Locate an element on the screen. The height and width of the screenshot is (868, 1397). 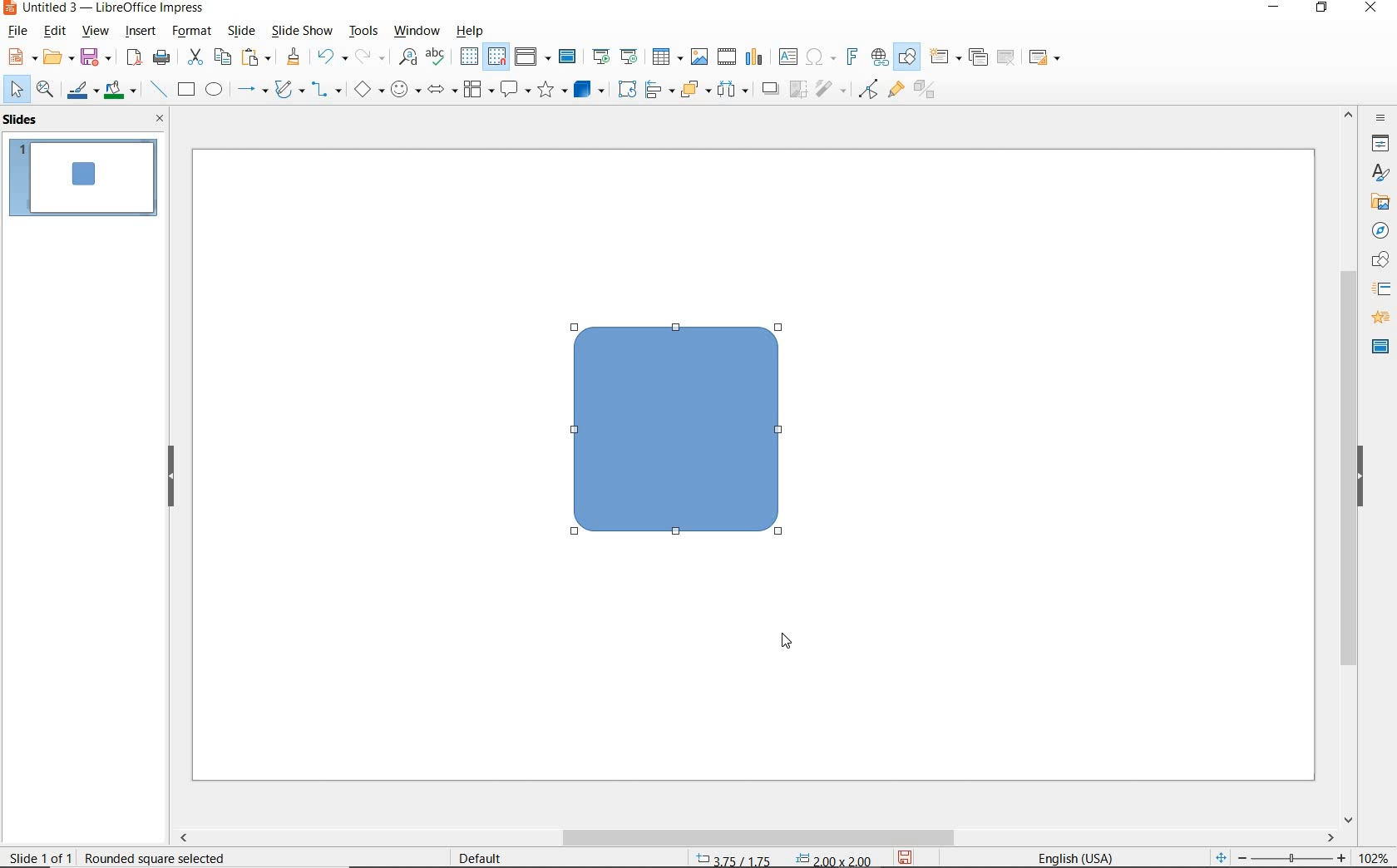
line color is located at coordinates (81, 89).